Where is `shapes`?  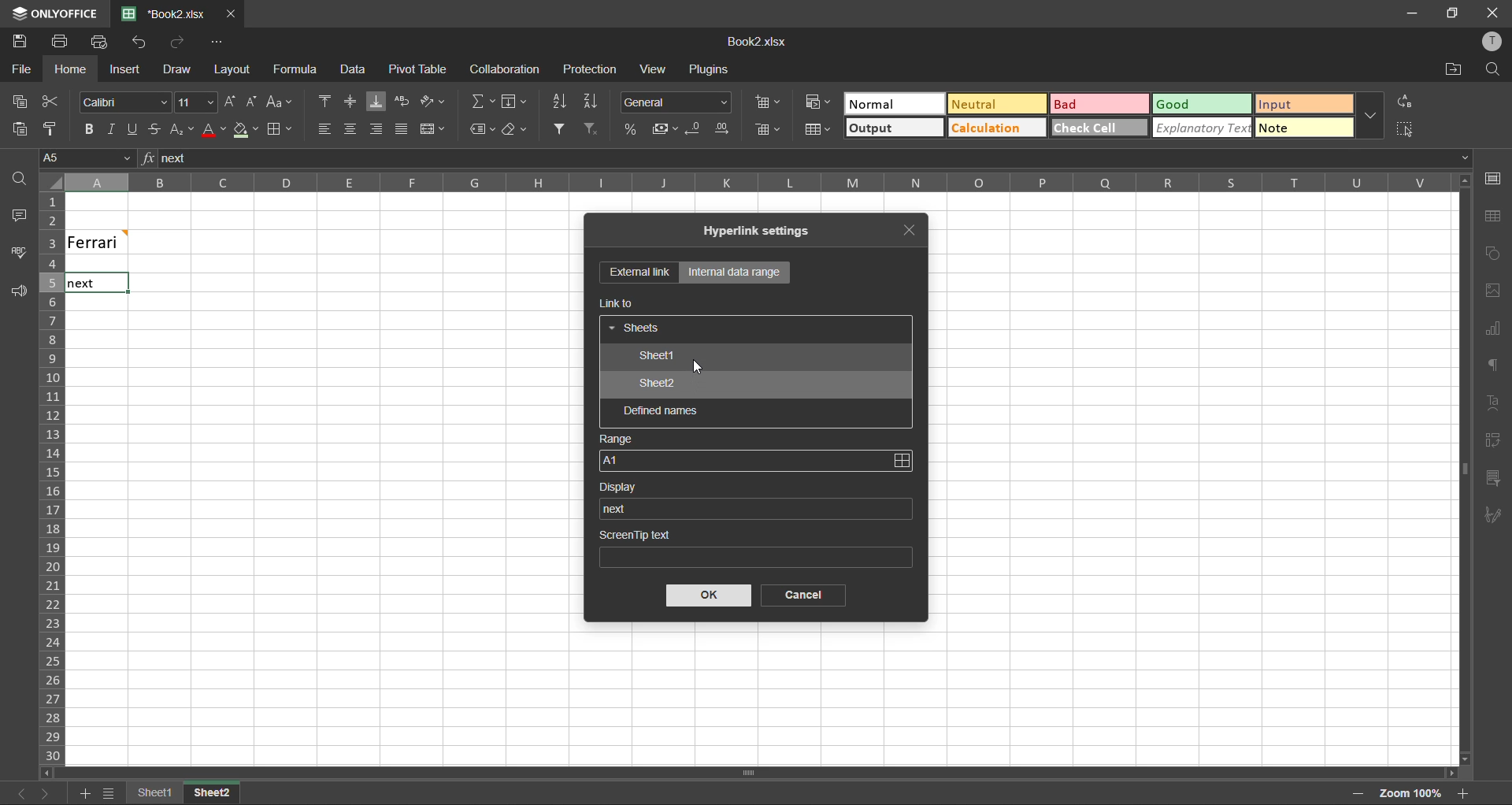 shapes is located at coordinates (1495, 254).